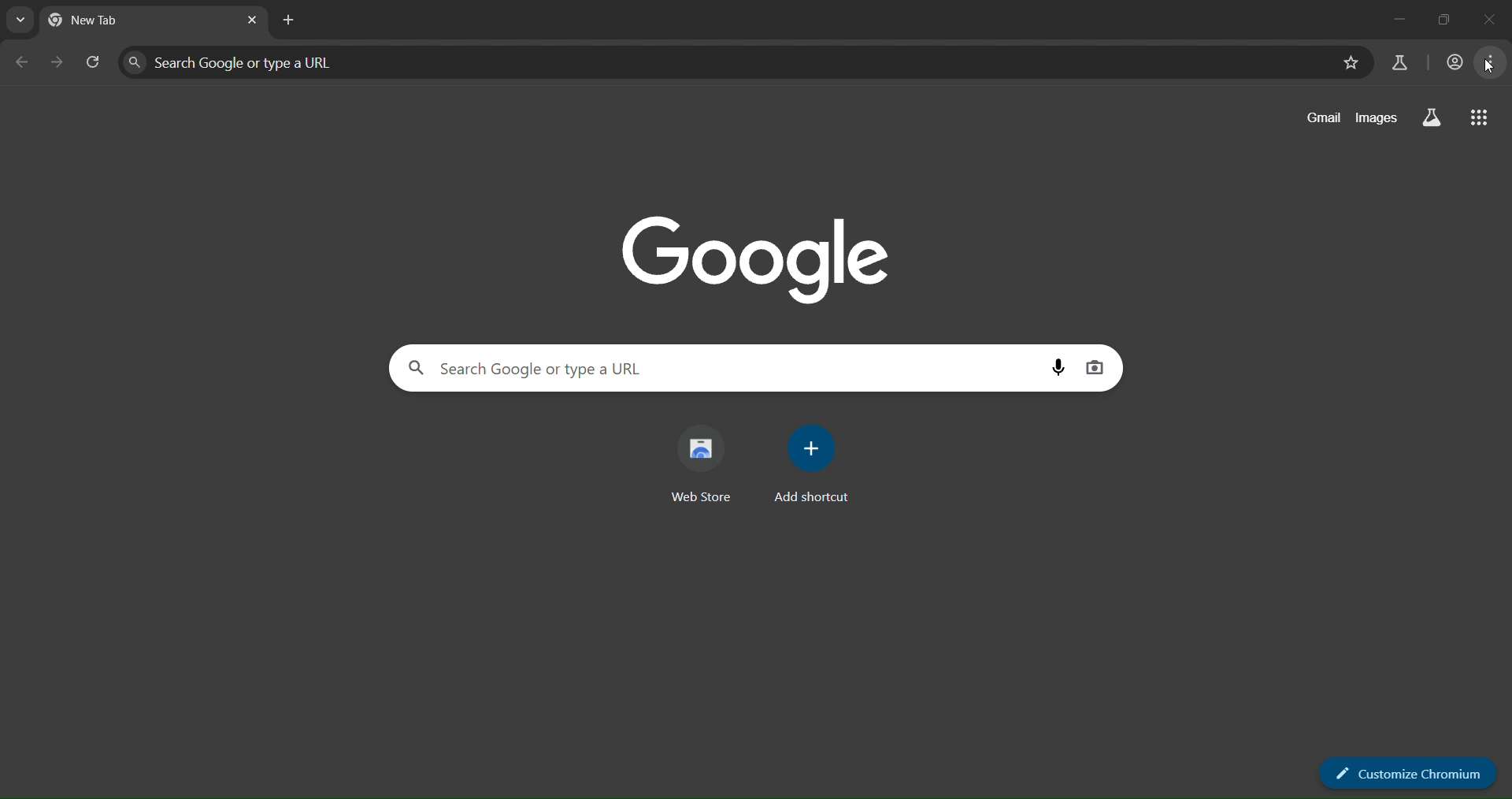  I want to click on close tab, so click(252, 20).